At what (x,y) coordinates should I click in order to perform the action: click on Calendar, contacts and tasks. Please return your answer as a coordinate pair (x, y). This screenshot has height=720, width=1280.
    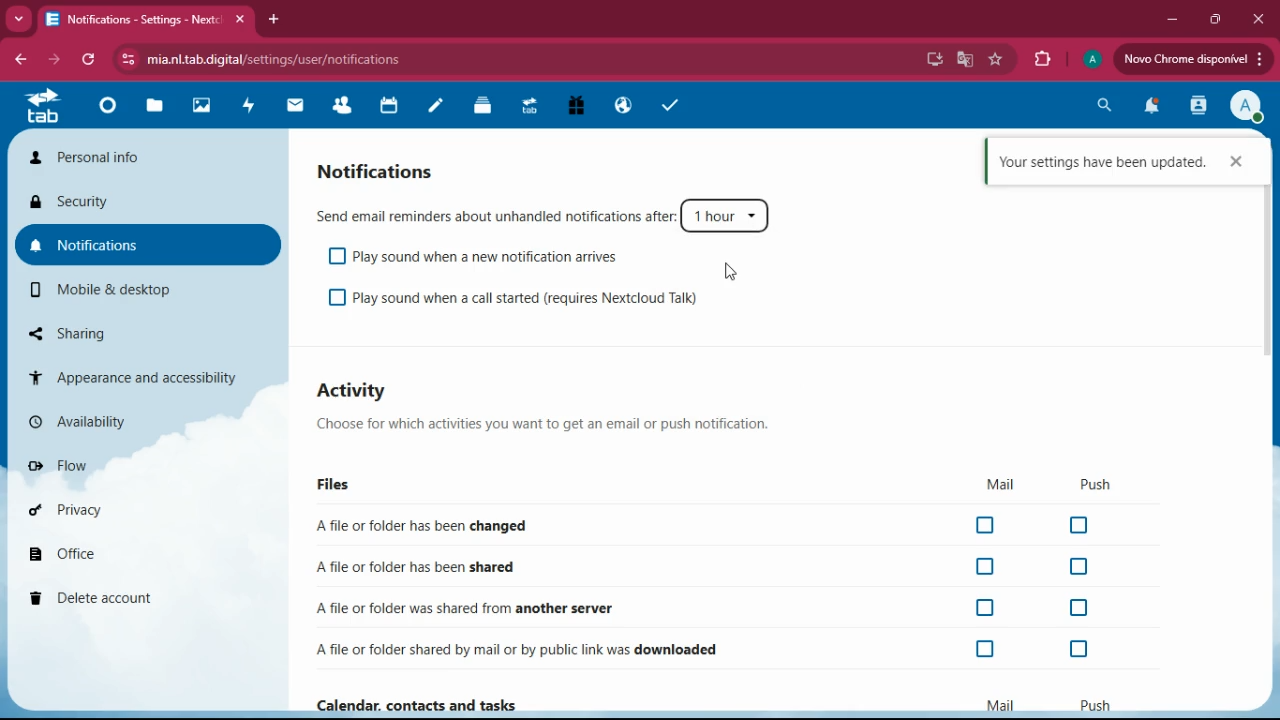
    Looking at the image, I should click on (417, 704).